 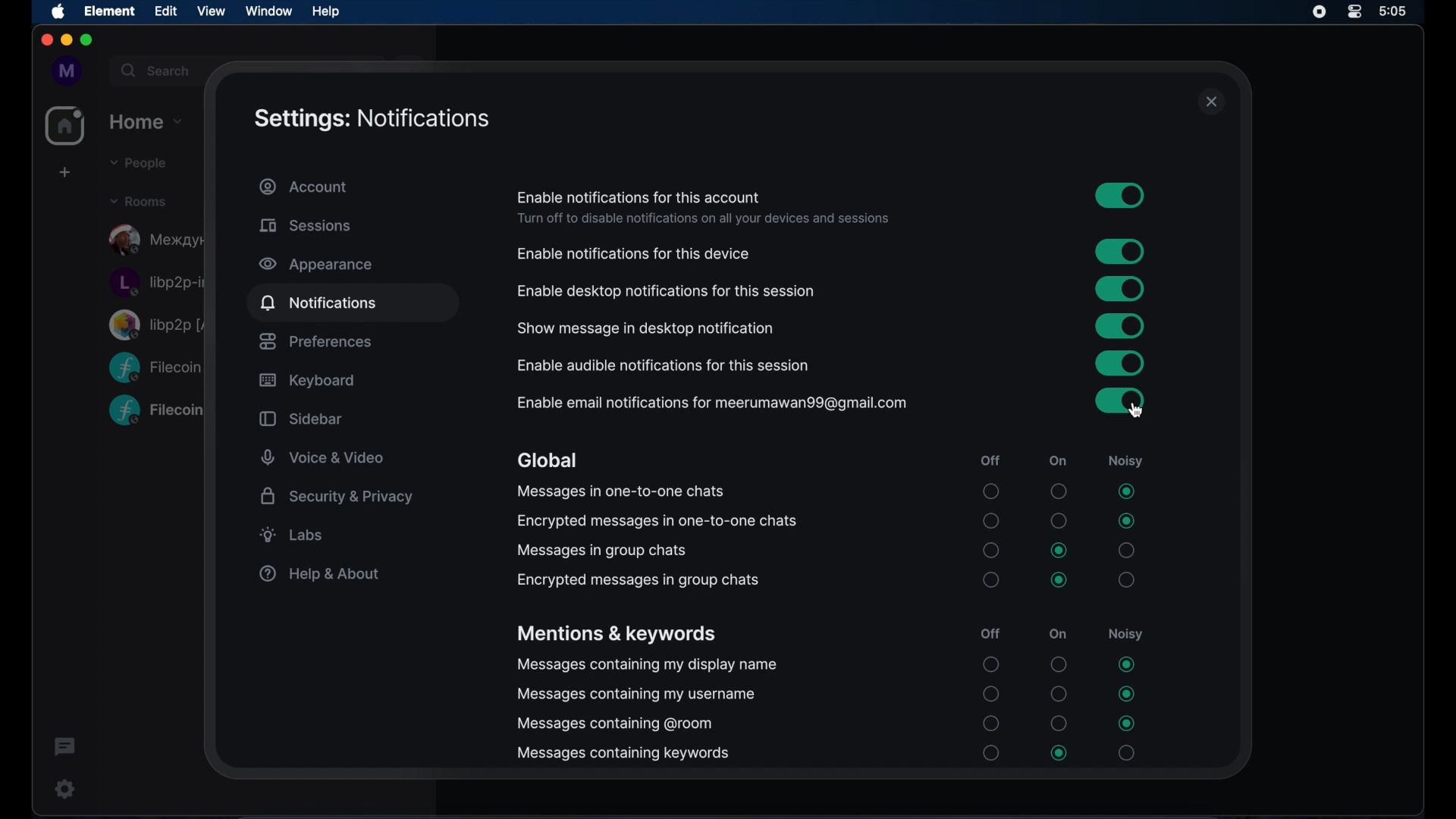 I want to click on radio button, so click(x=1059, y=723).